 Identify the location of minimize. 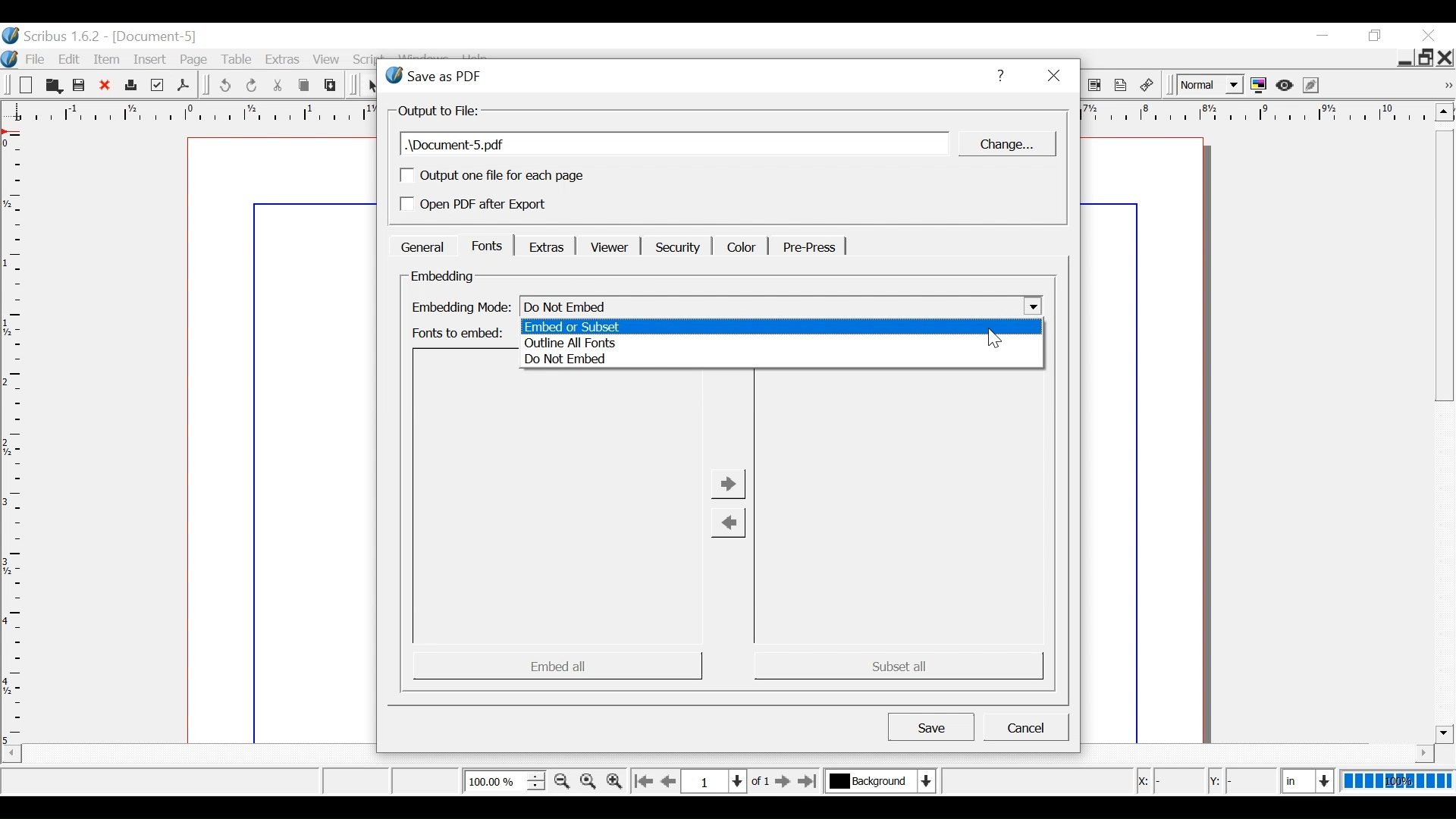
(1403, 60).